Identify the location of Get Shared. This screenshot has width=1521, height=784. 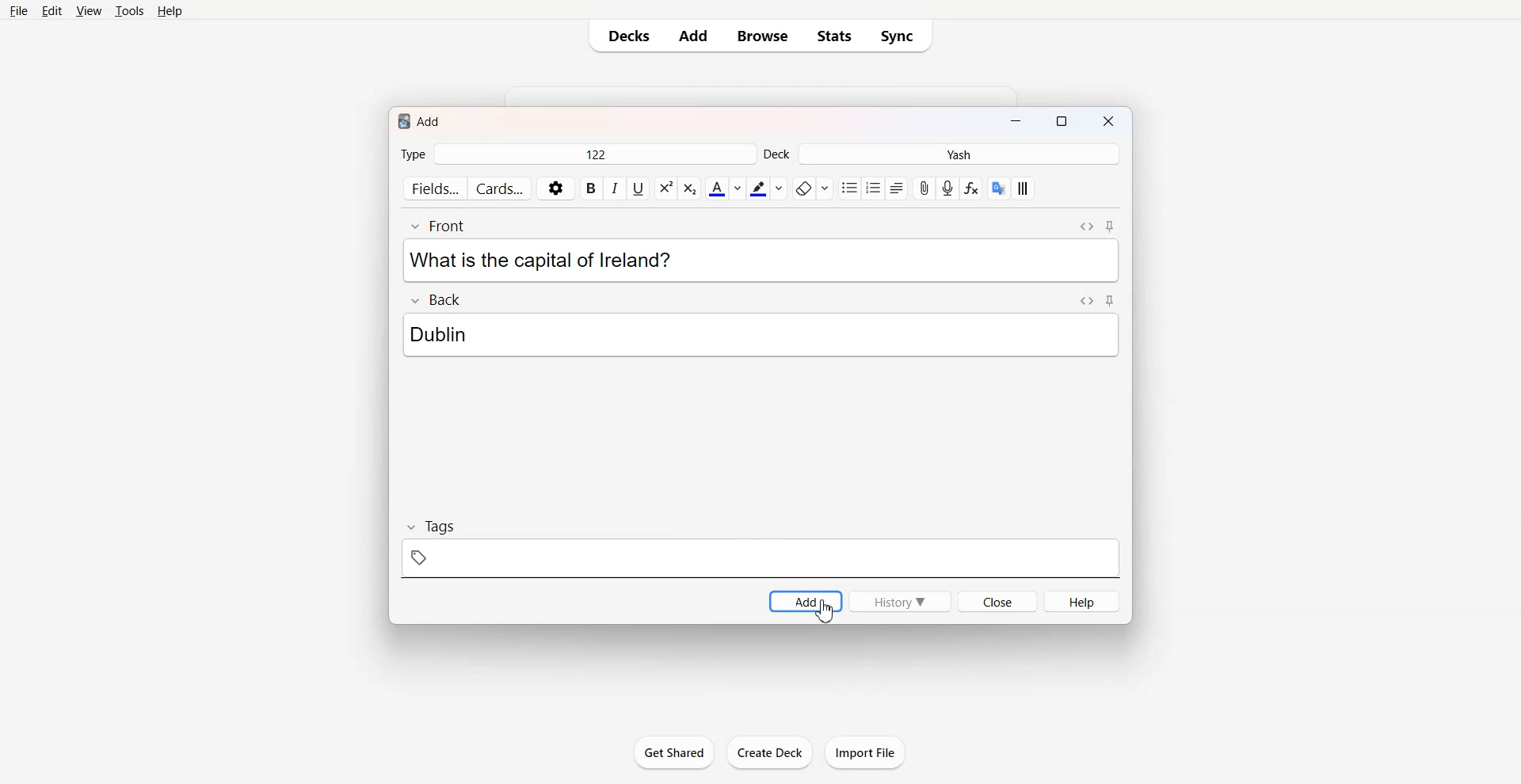
(673, 752).